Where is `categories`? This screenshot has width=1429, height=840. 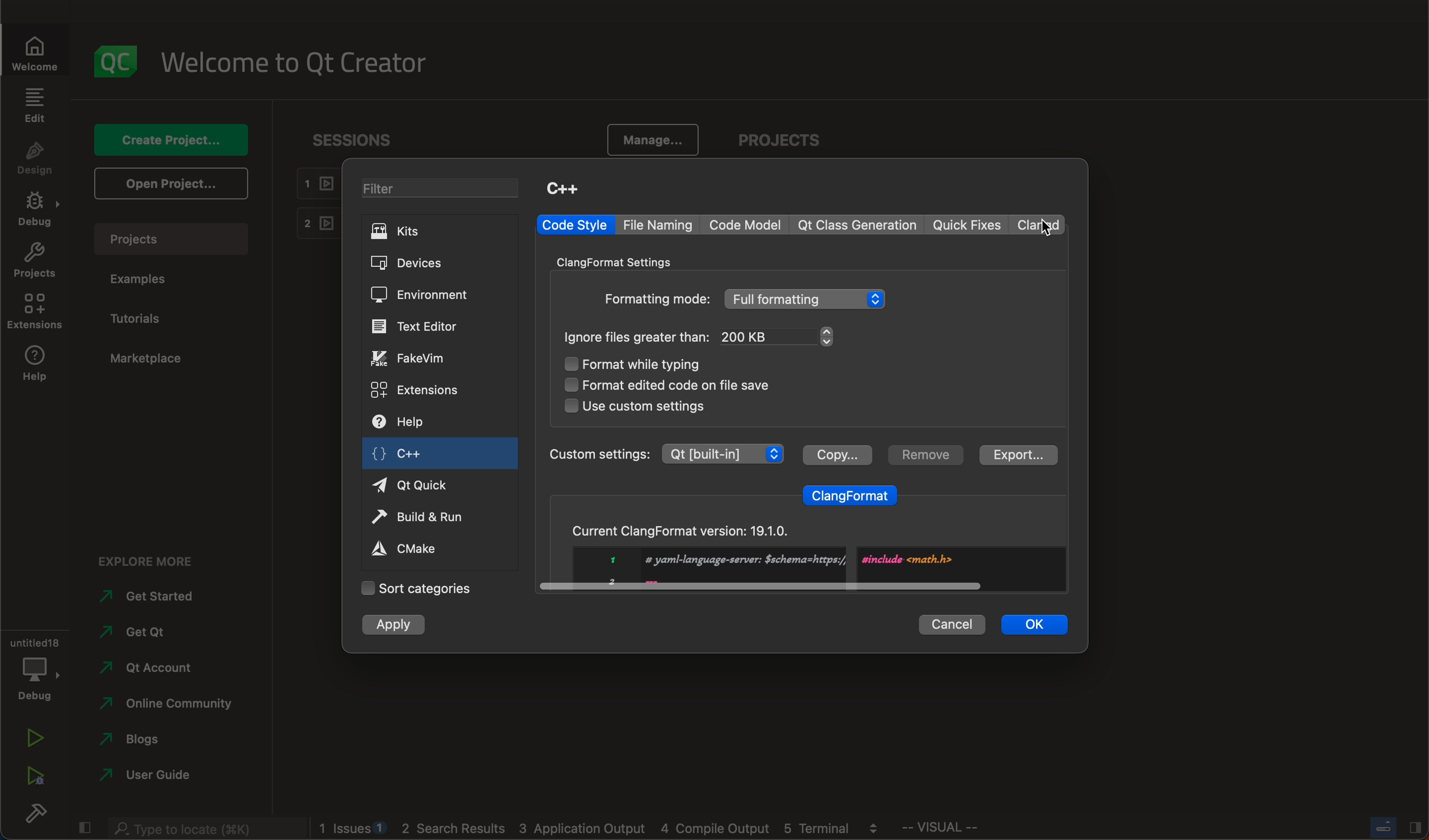
categories is located at coordinates (427, 591).